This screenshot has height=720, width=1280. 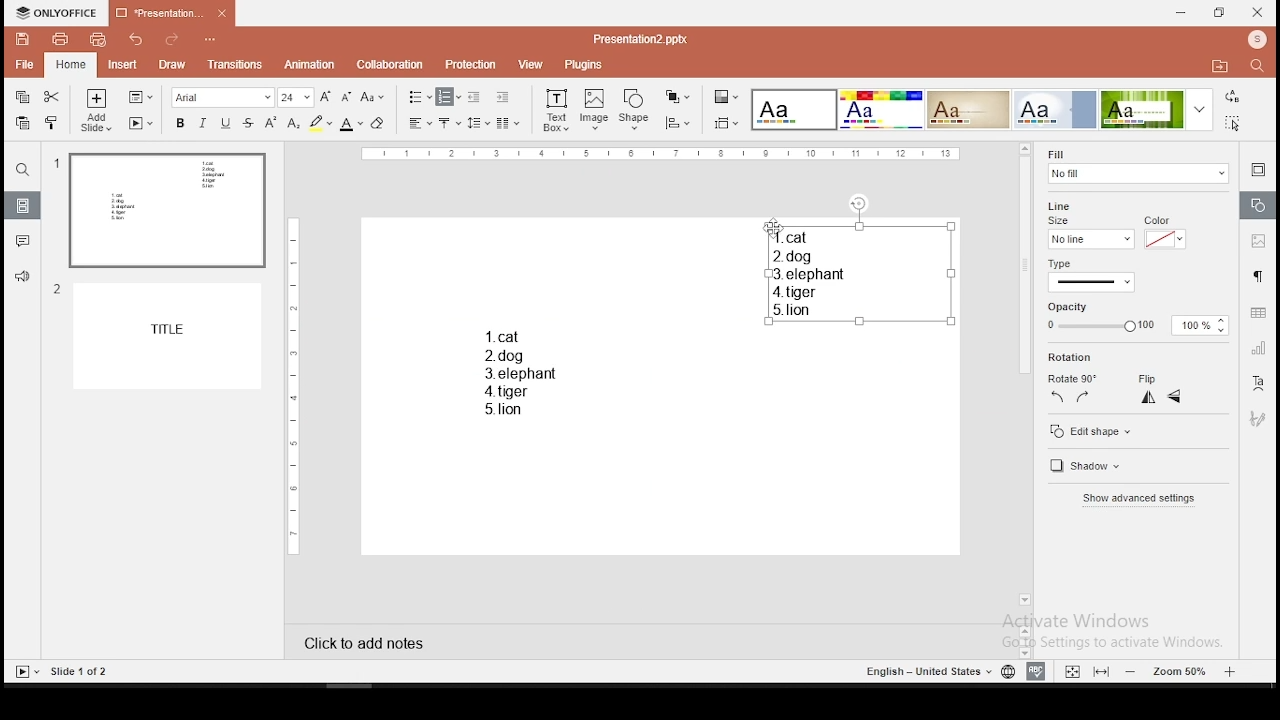 I want to click on slides, so click(x=23, y=205).